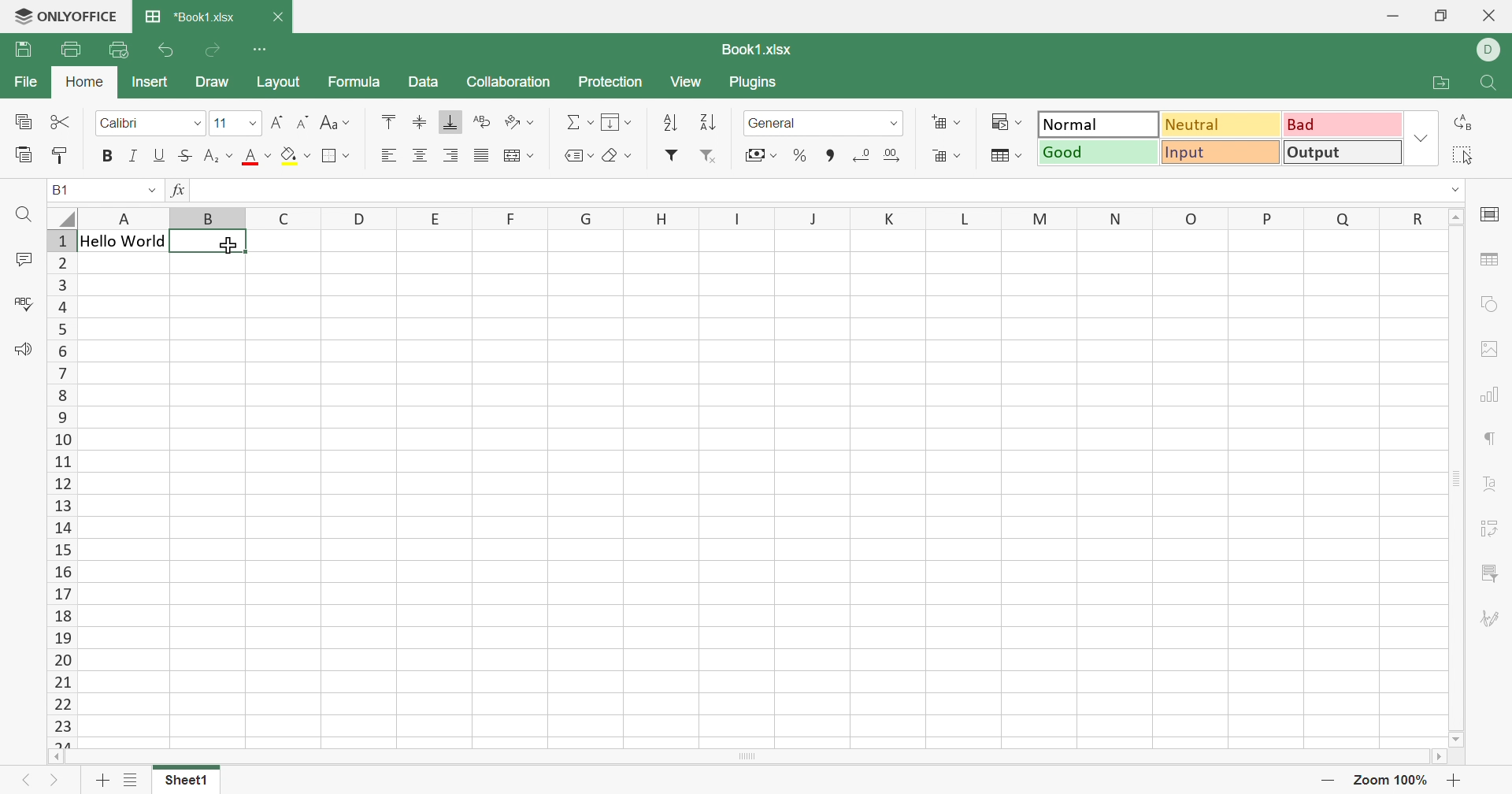 The height and width of the screenshot is (794, 1512). Describe the element at coordinates (151, 123) in the screenshot. I see `Font` at that location.